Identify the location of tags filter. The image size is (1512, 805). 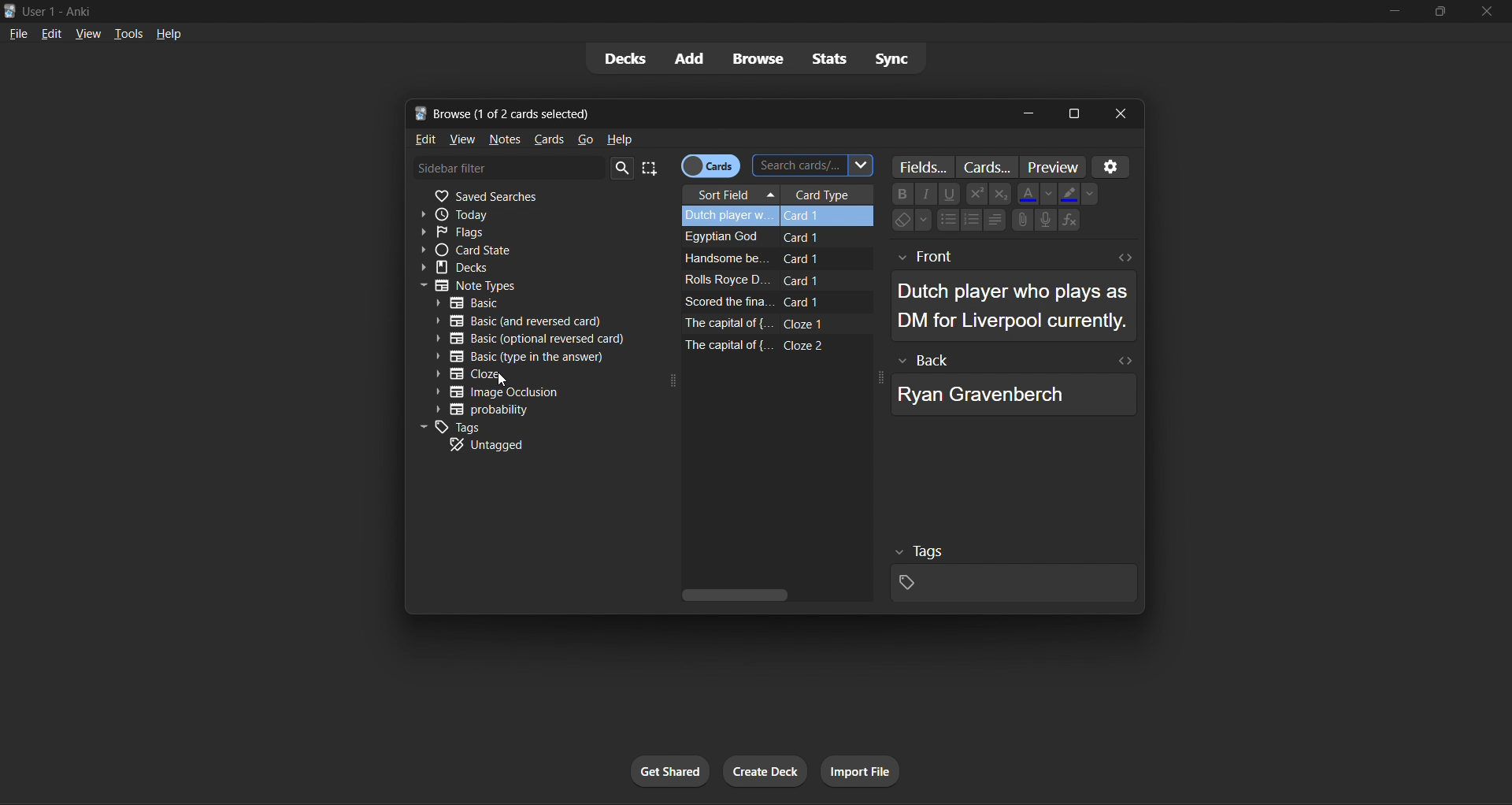
(528, 426).